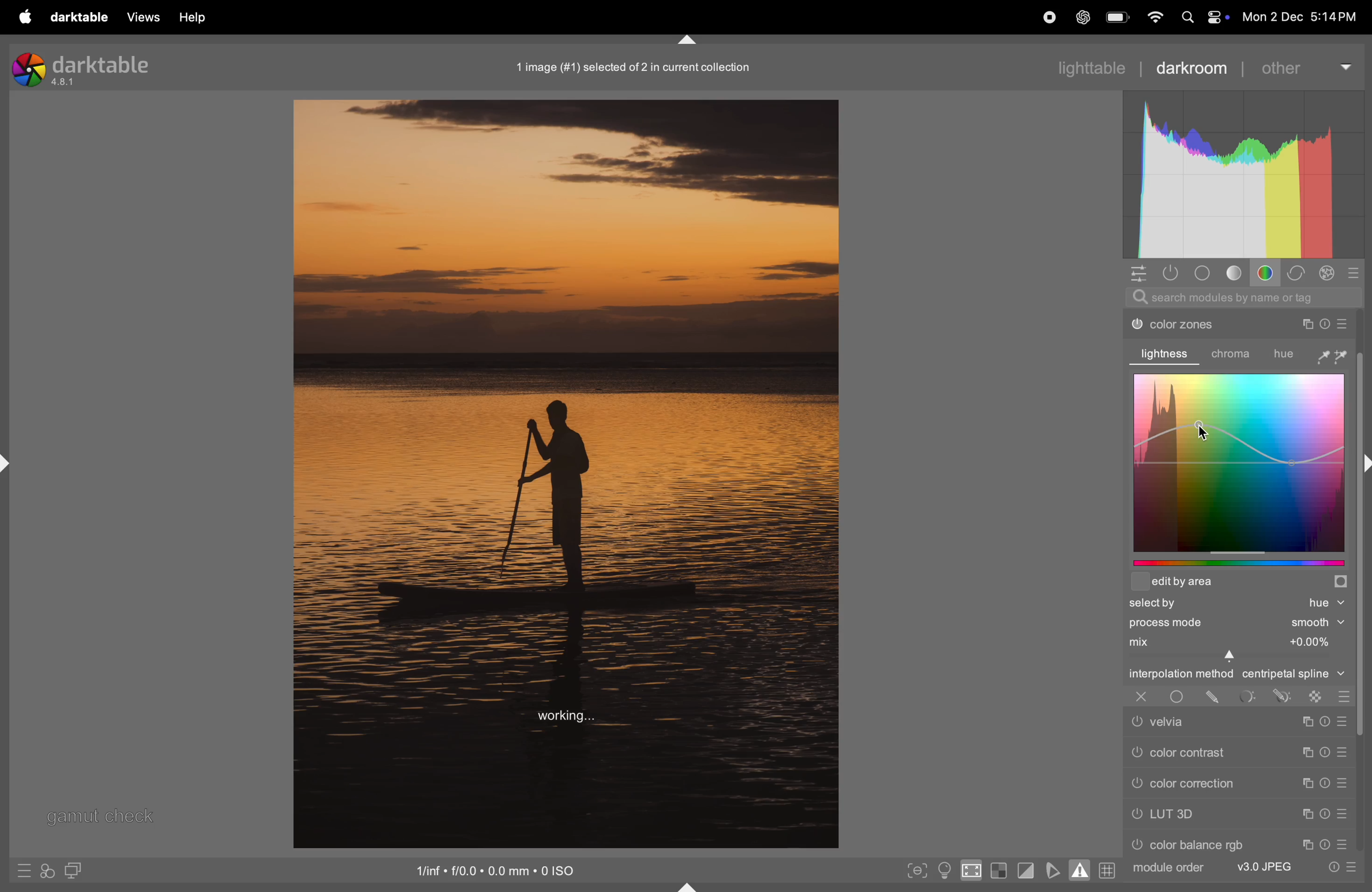 The image size is (1372, 892). I want to click on hue, so click(1310, 354).